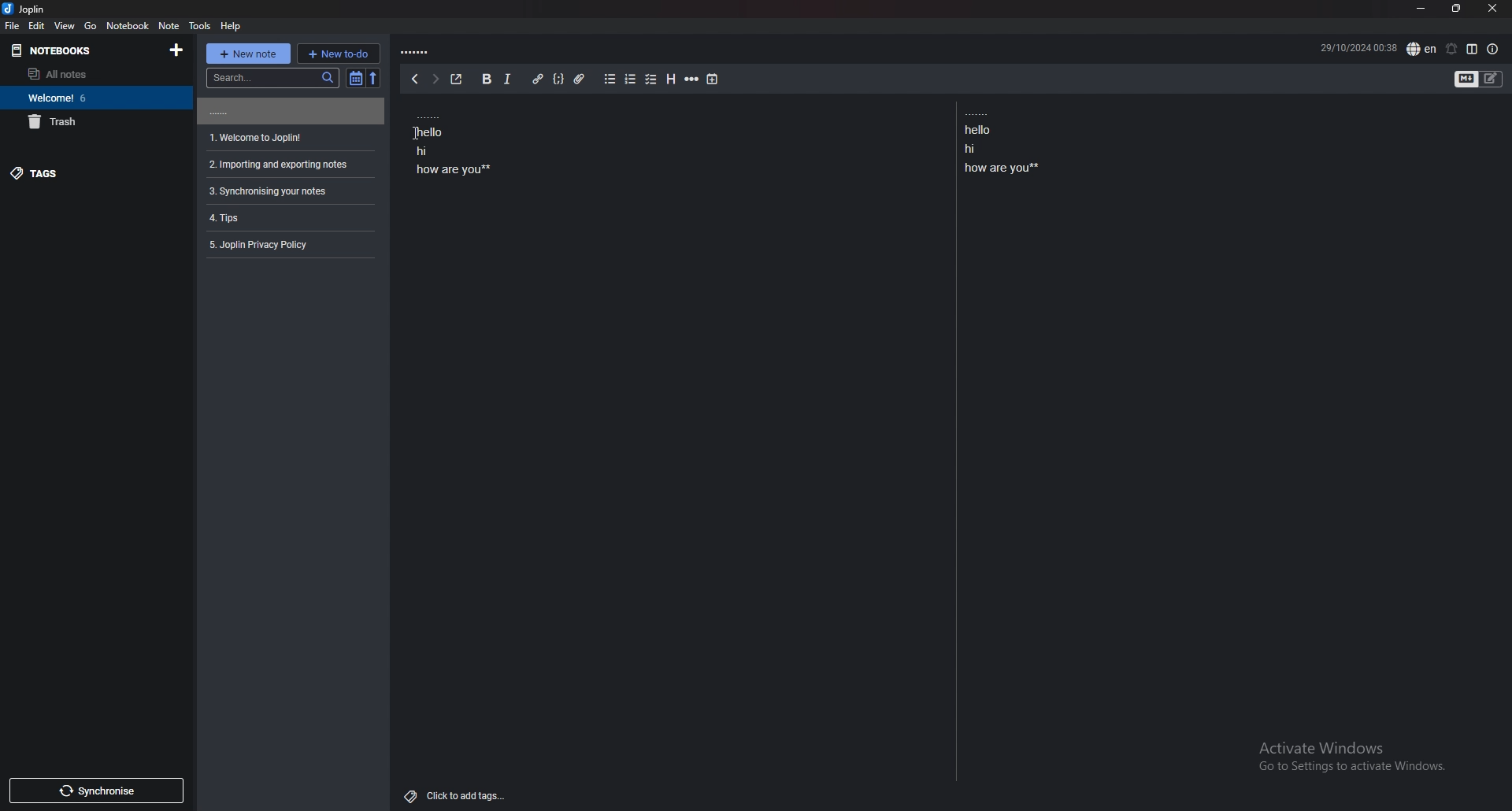 The height and width of the screenshot is (811, 1512). What do you see at coordinates (170, 26) in the screenshot?
I see `note` at bounding box center [170, 26].